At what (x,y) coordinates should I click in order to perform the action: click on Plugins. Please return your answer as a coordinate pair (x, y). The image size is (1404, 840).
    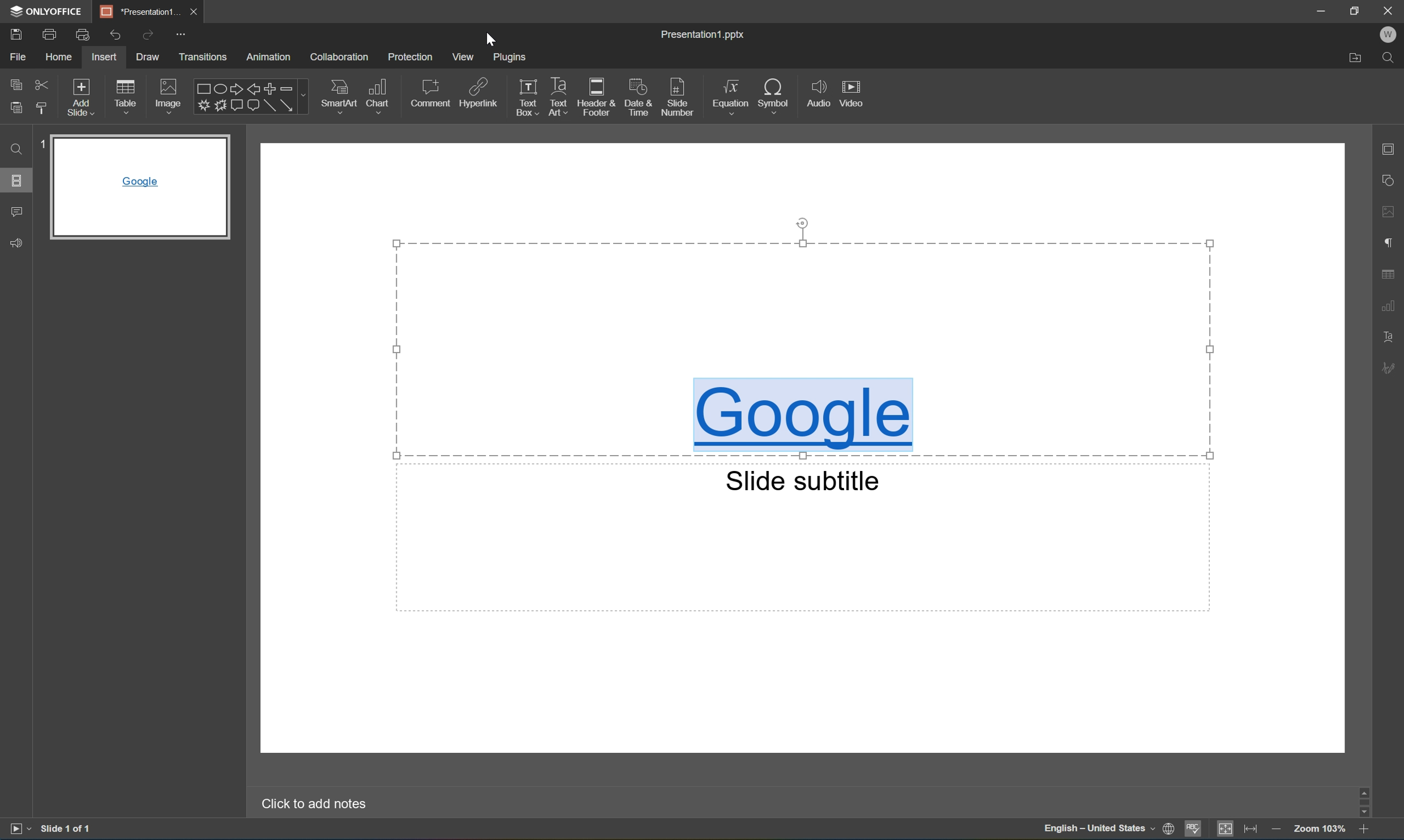
    Looking at the image, I should click on (512, 58).